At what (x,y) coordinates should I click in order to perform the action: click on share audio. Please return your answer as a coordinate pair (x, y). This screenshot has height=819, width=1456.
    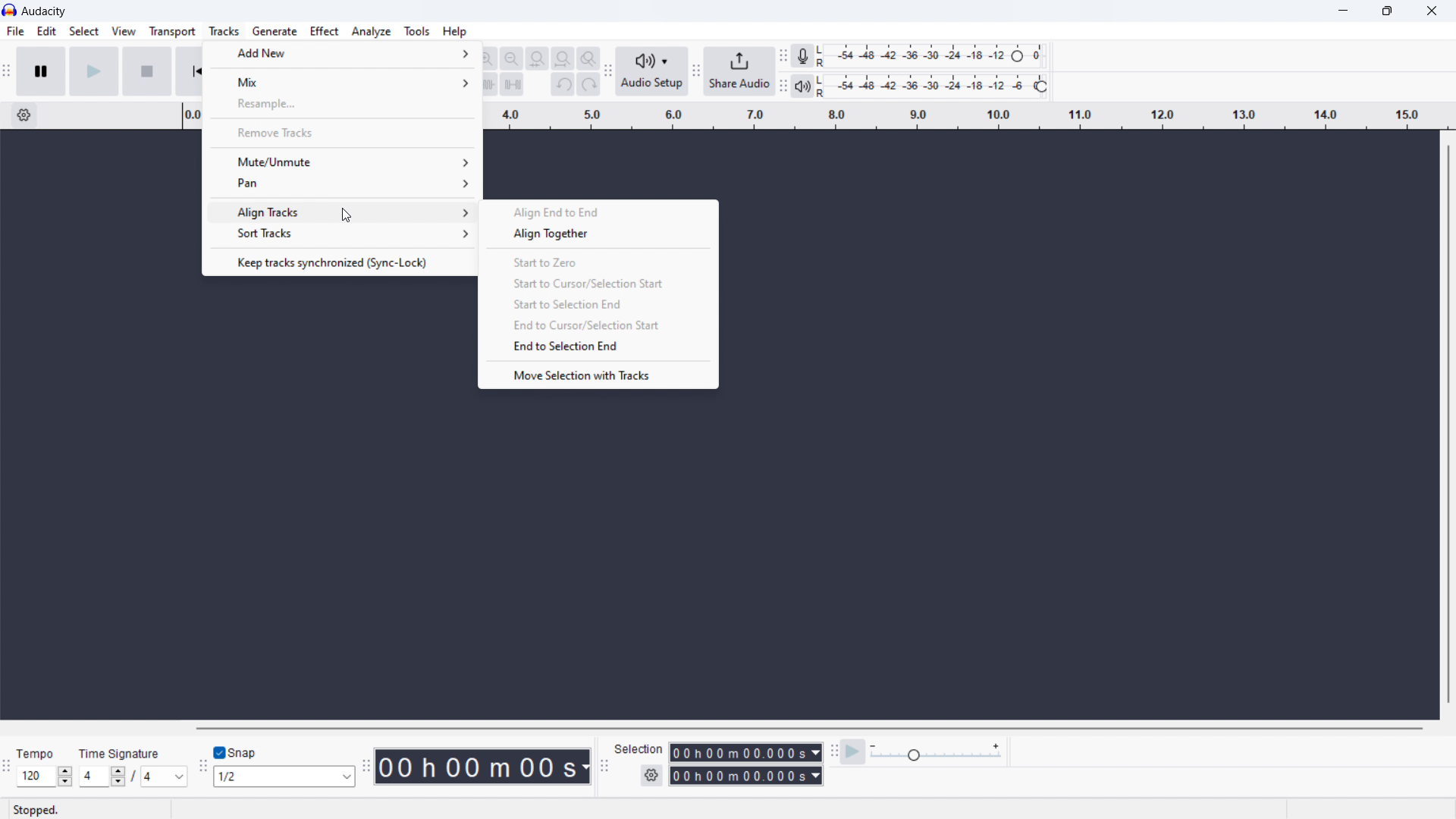
    Looking at the image, I should click on (740, 71).